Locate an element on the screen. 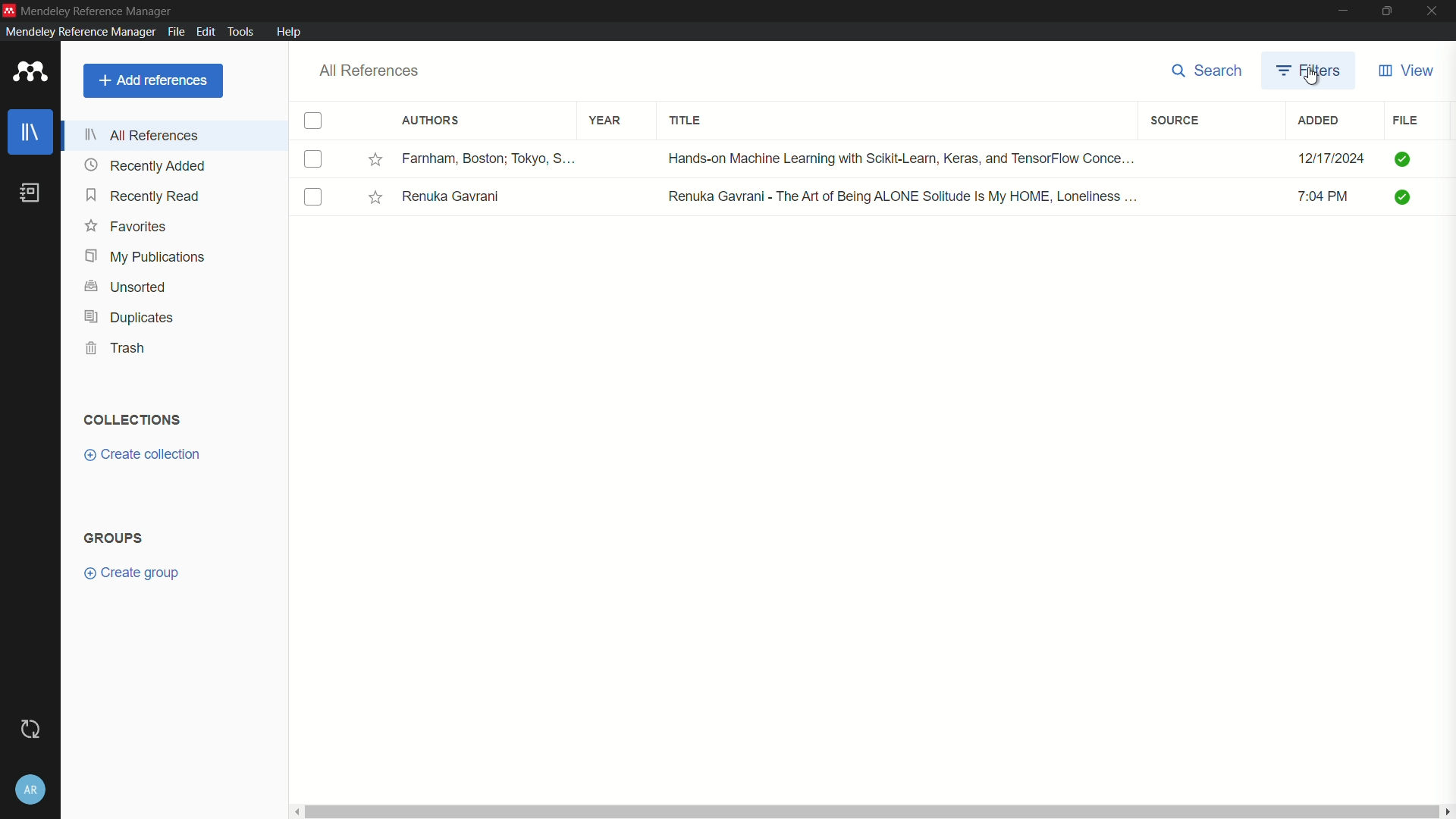 The width and height of the screenshot is (1456, 819). recently read is located at coordinates (143, 196).